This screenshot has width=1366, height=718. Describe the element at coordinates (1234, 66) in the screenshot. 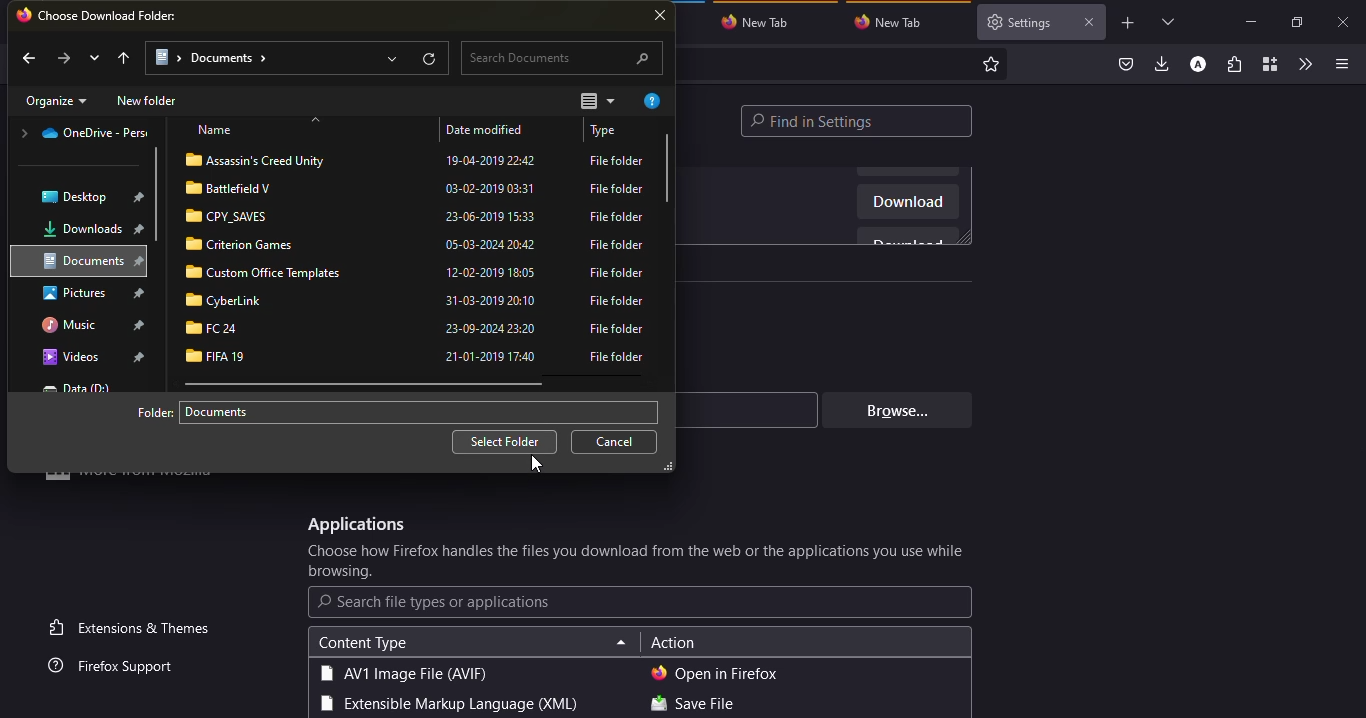

I see `extensions` at that location.